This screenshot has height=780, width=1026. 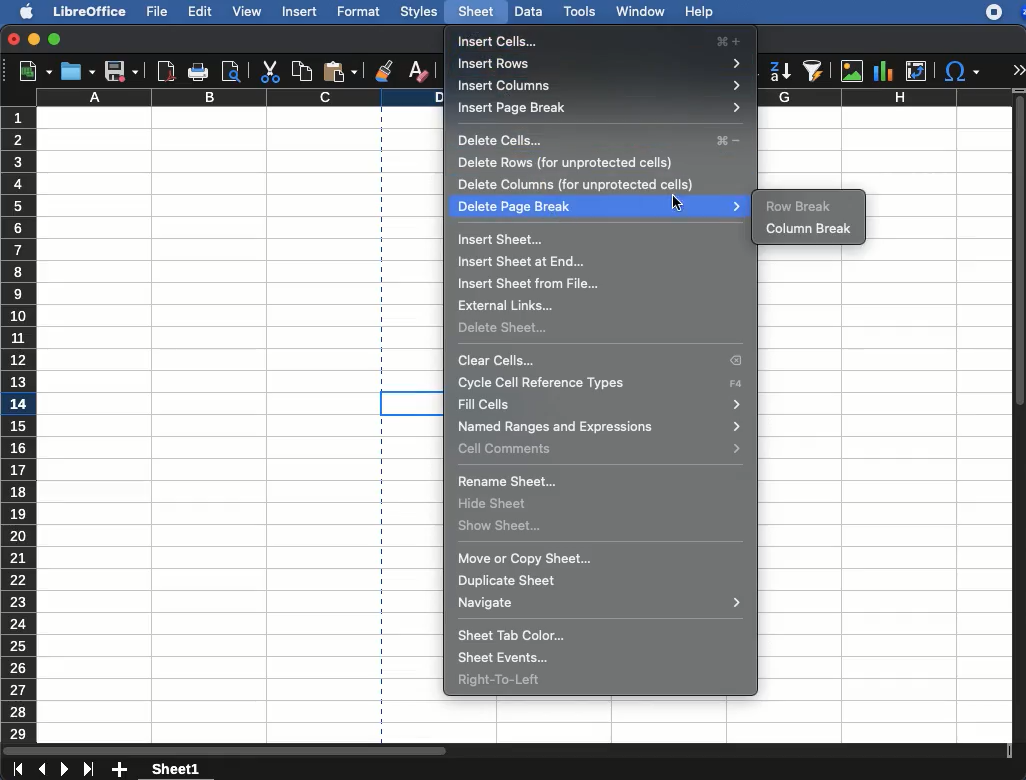 I want to click on sheet tab color, so click(x=512, y=636).